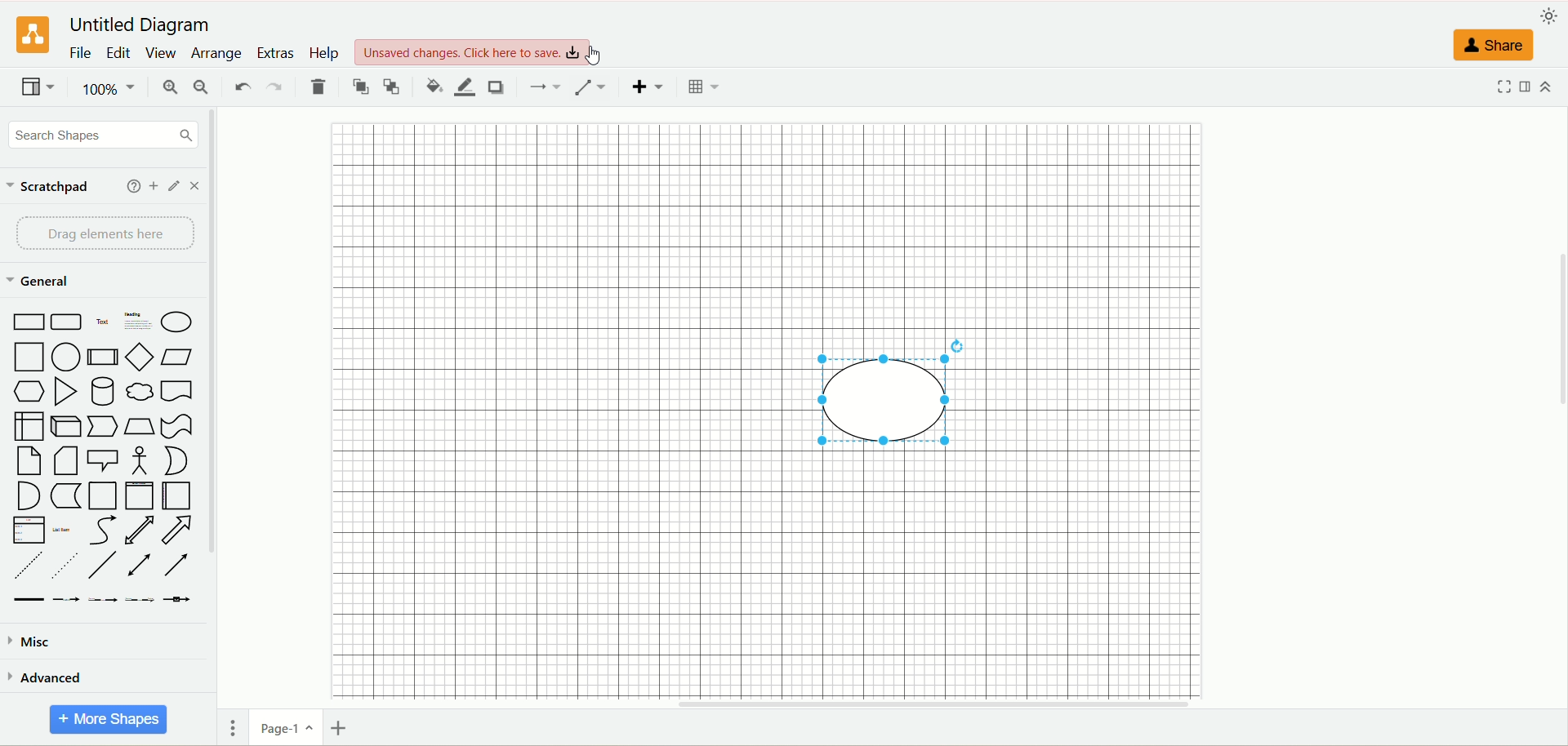 Image resolution: width=1568 pixels, height=746 pixels. What do you see at coordinates (141, 22) in the screenshot?
I see `Untitled Diagram` at bounding box center [141, 22].